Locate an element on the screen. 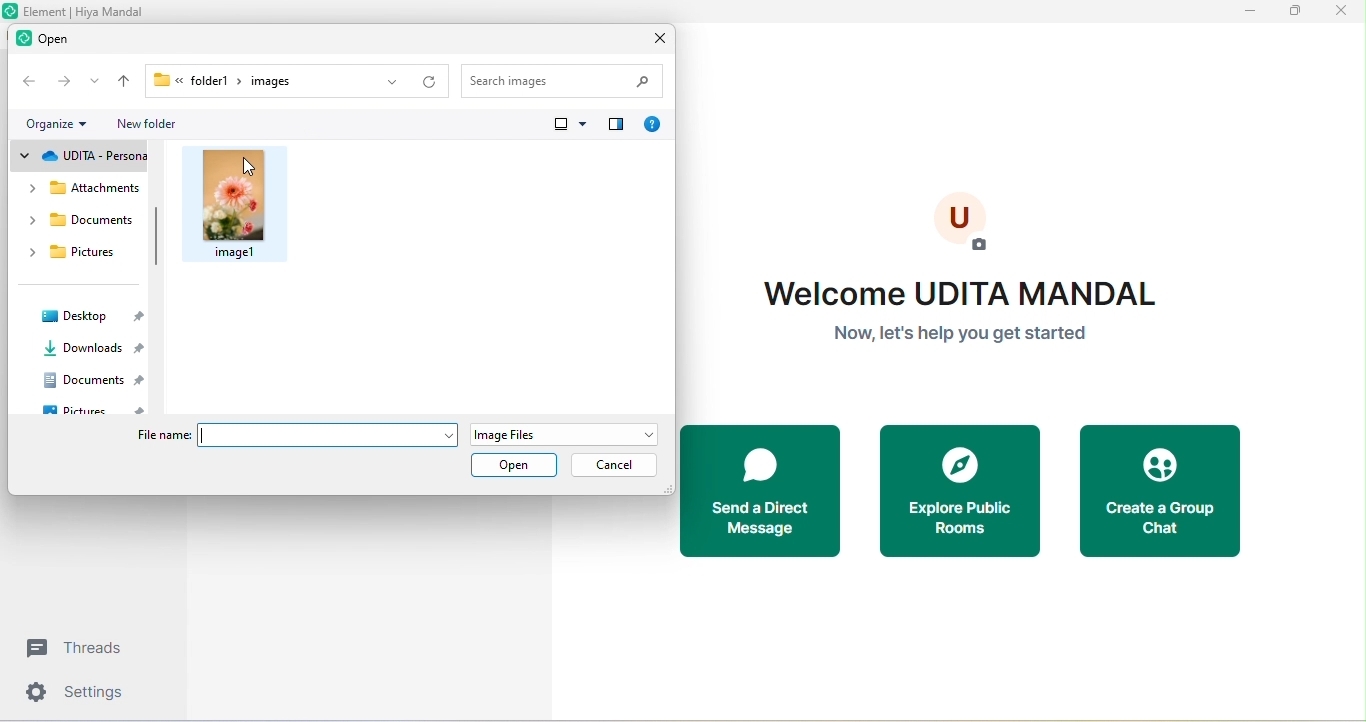 The image size is (1366, 722). cursor movement is located at coordinates (250, 168).